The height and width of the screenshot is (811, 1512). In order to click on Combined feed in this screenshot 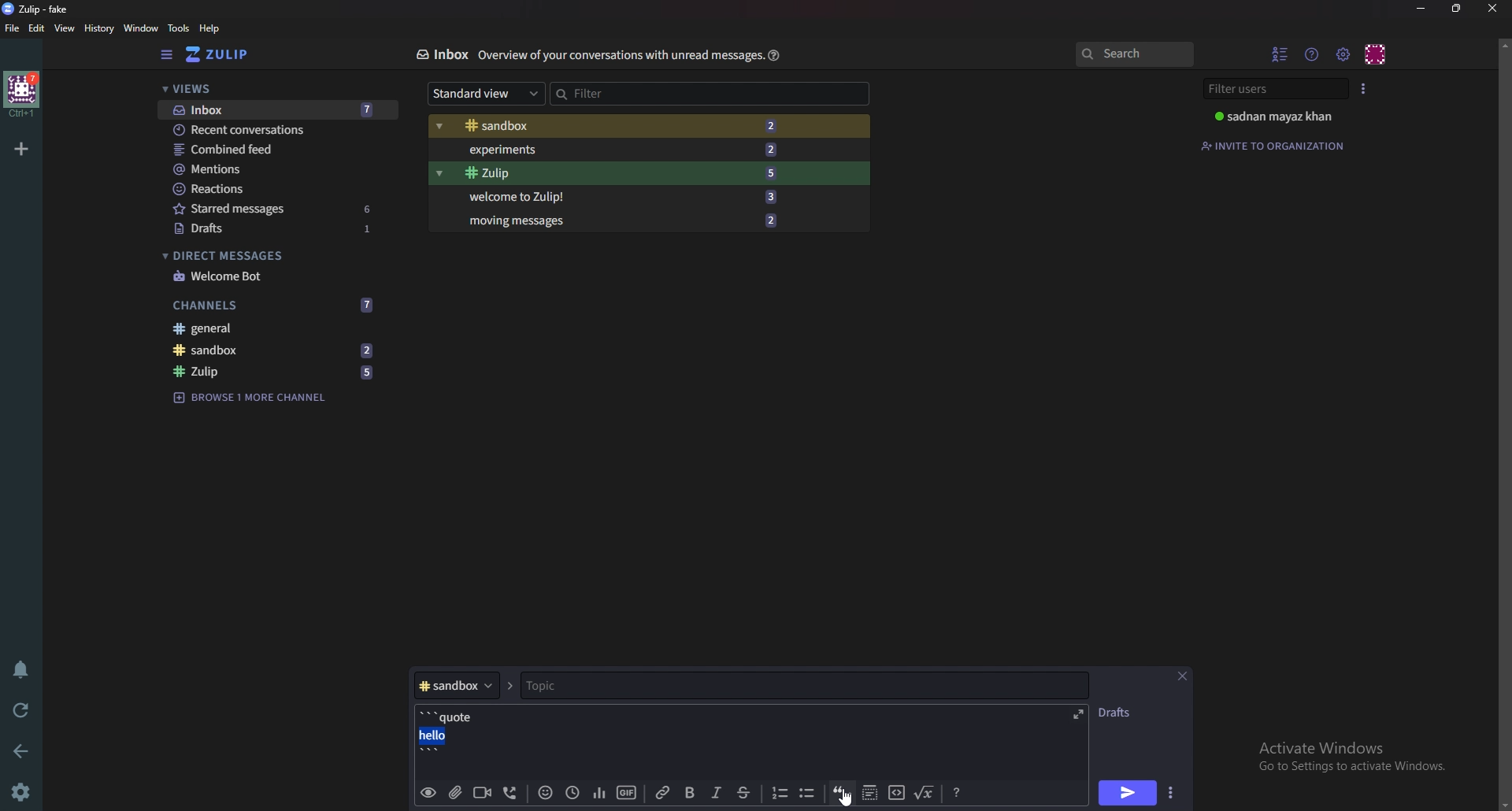, I will do `click(271, 150)`.